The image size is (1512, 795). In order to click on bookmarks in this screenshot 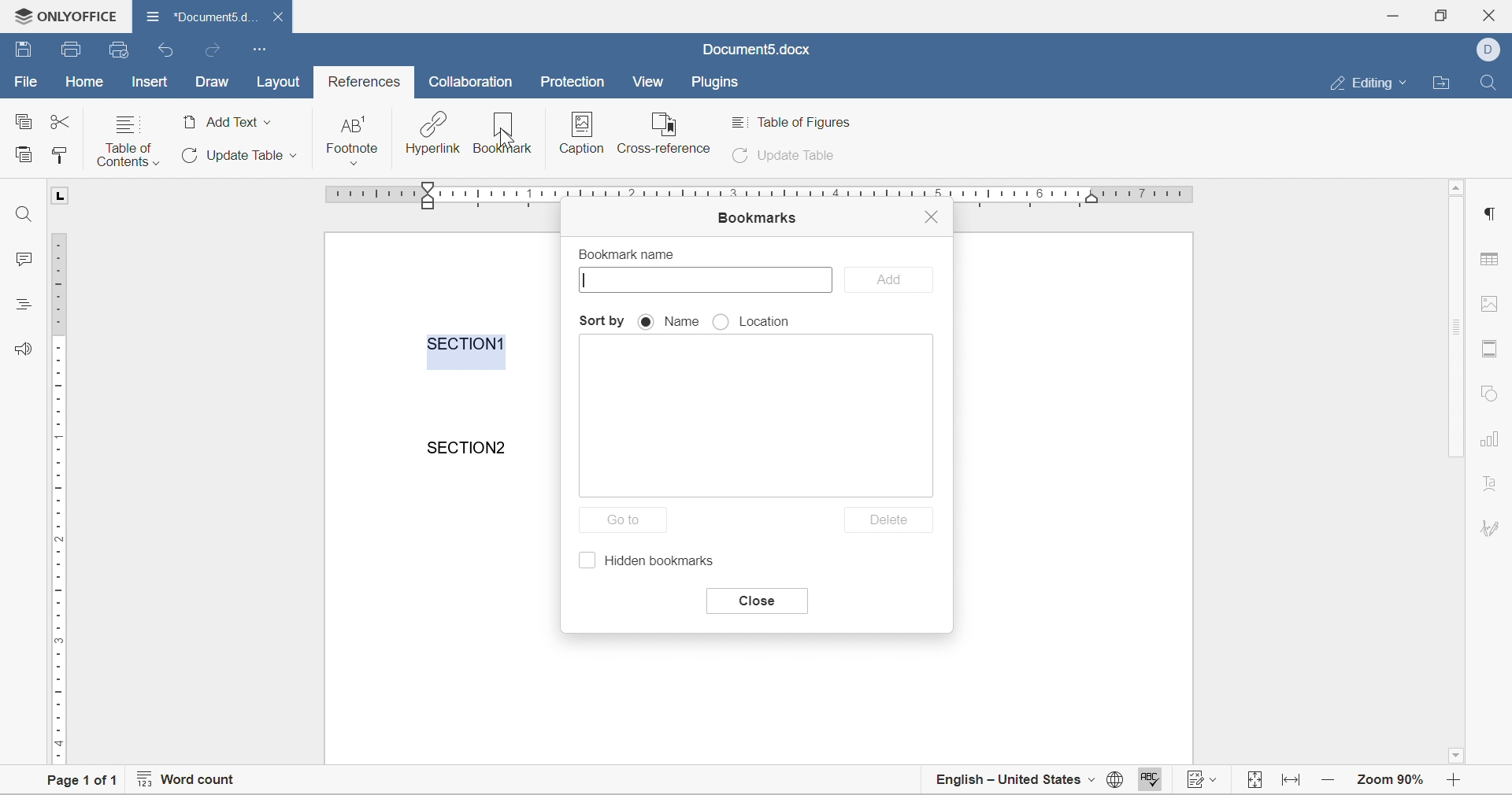, I will do `click(755, 219)`.